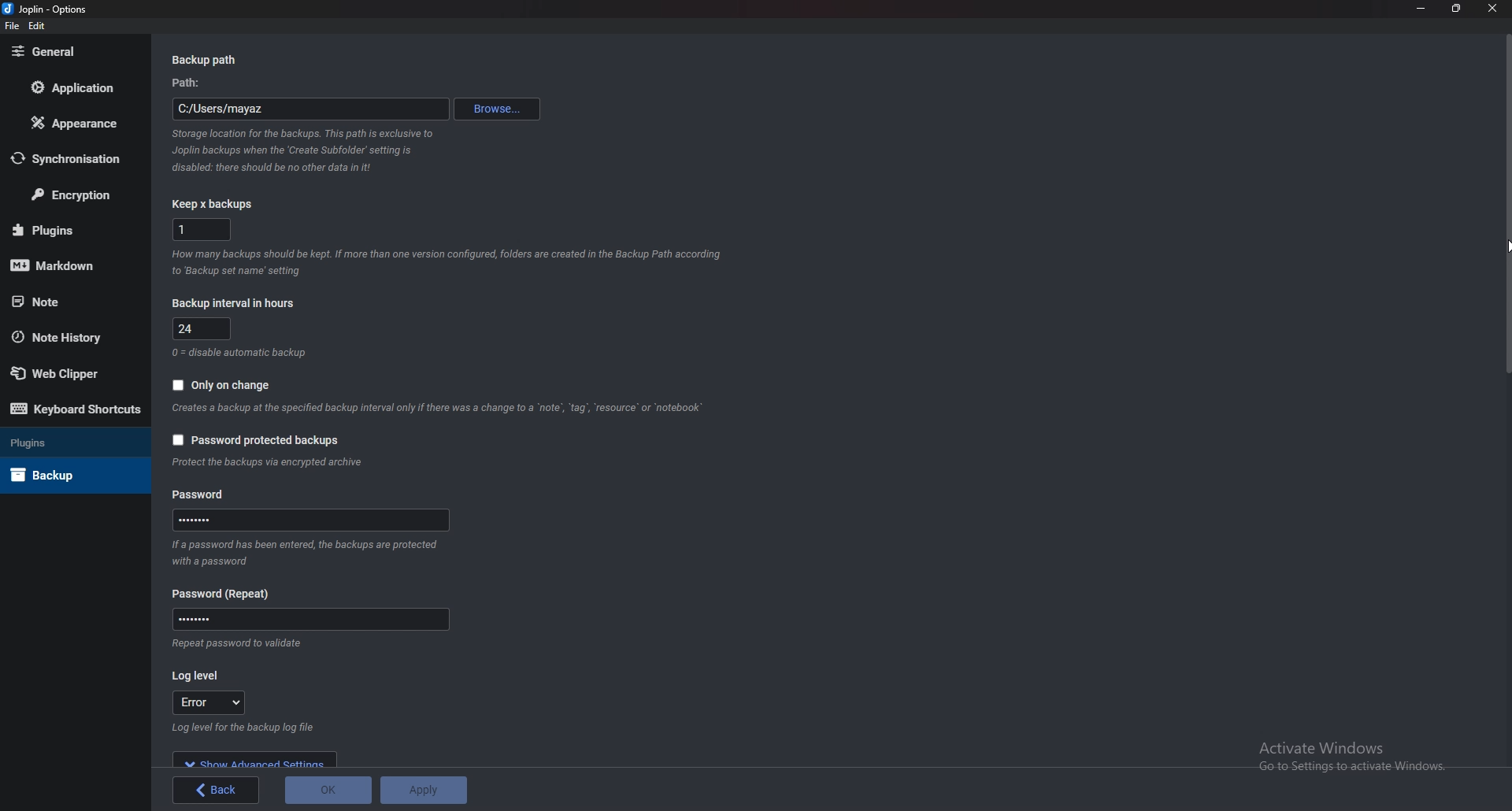 The image size is (1512, 811). Describe the element at coordinates (1458, 8) in the screenshot. I see `Resize` at that location.